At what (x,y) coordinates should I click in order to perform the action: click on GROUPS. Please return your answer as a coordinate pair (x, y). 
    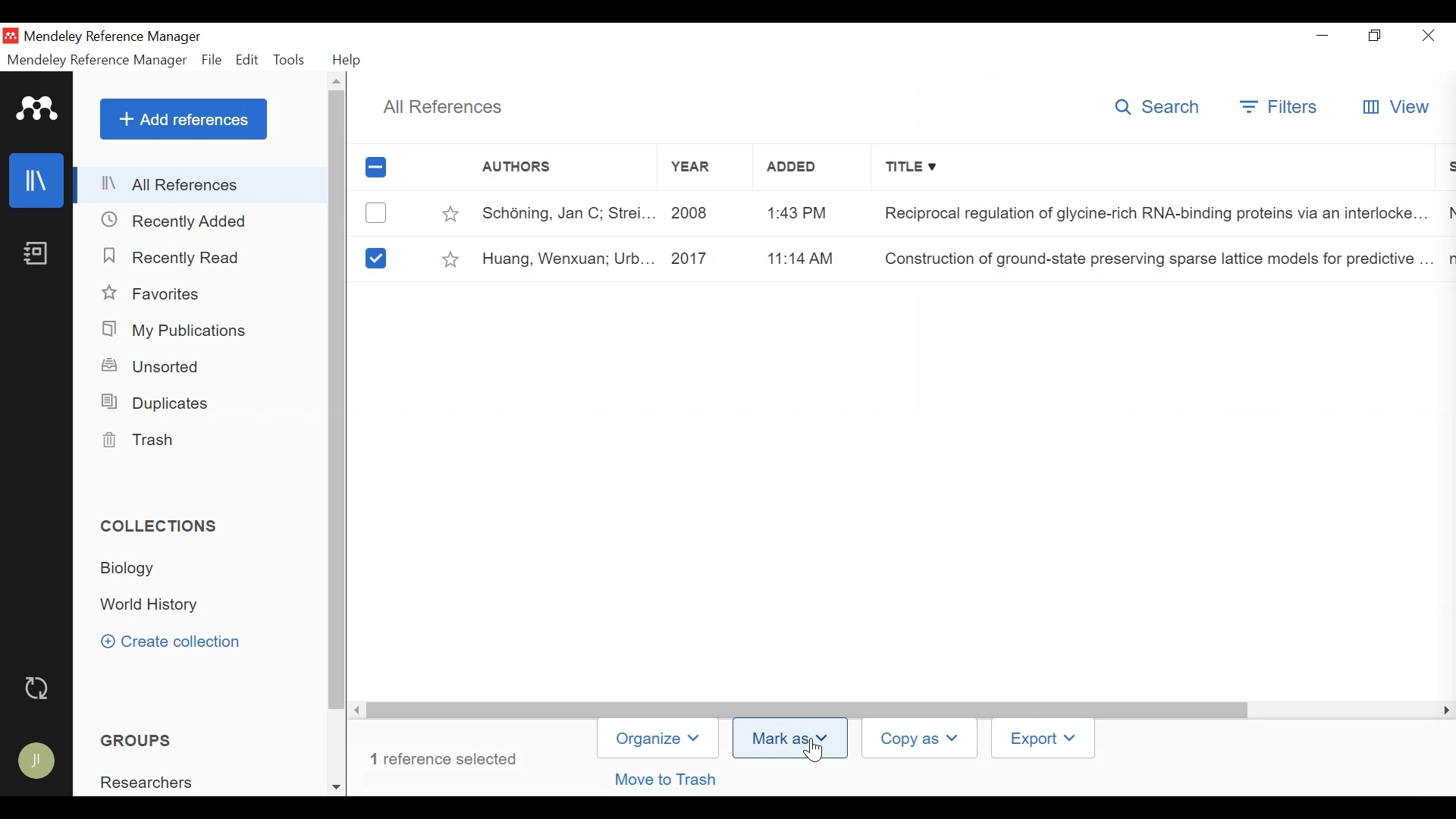
    Looking at the image, I should click on (144, 741).